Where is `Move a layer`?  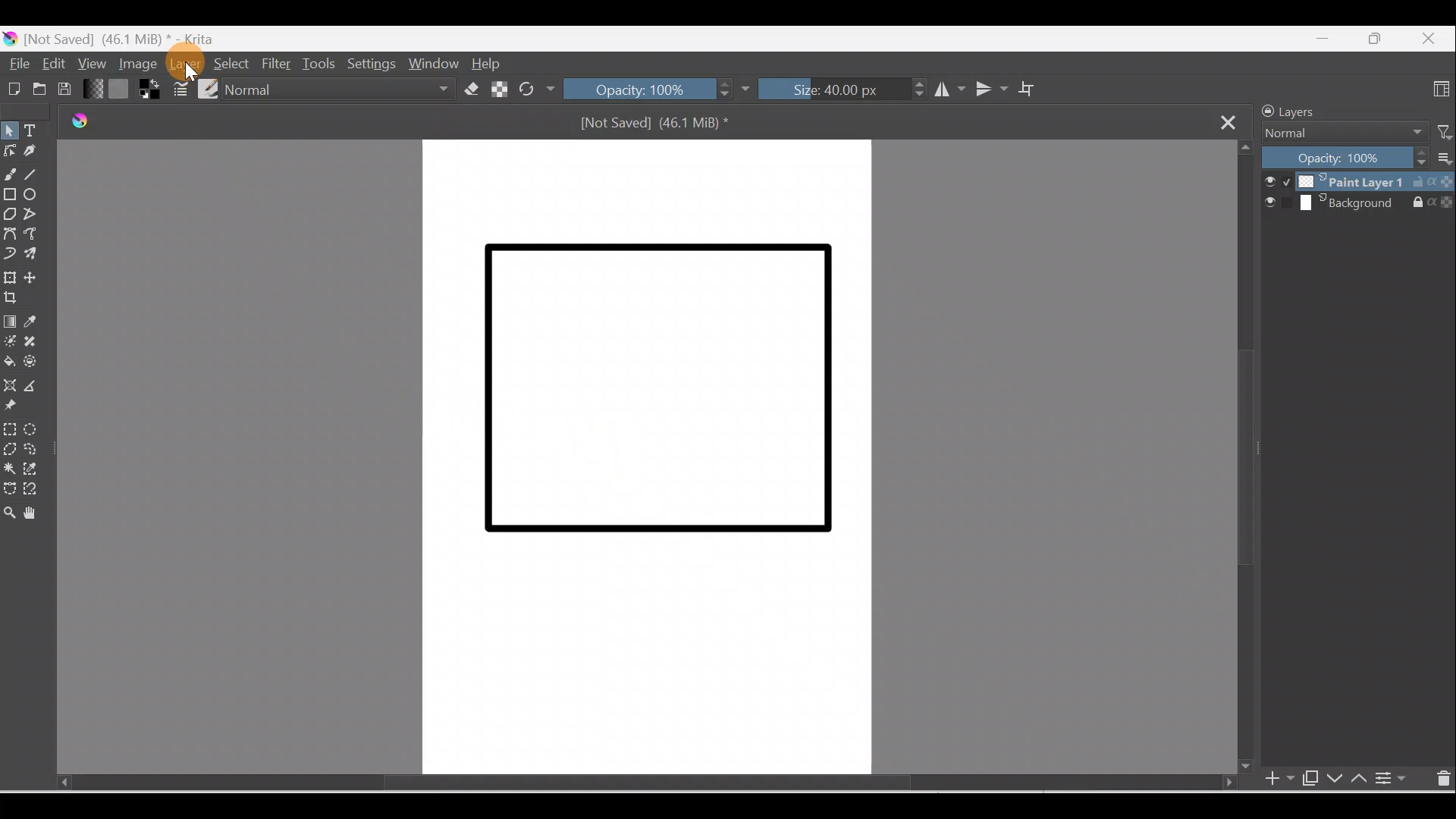 Move a layer is located at coordinates (38, 278).